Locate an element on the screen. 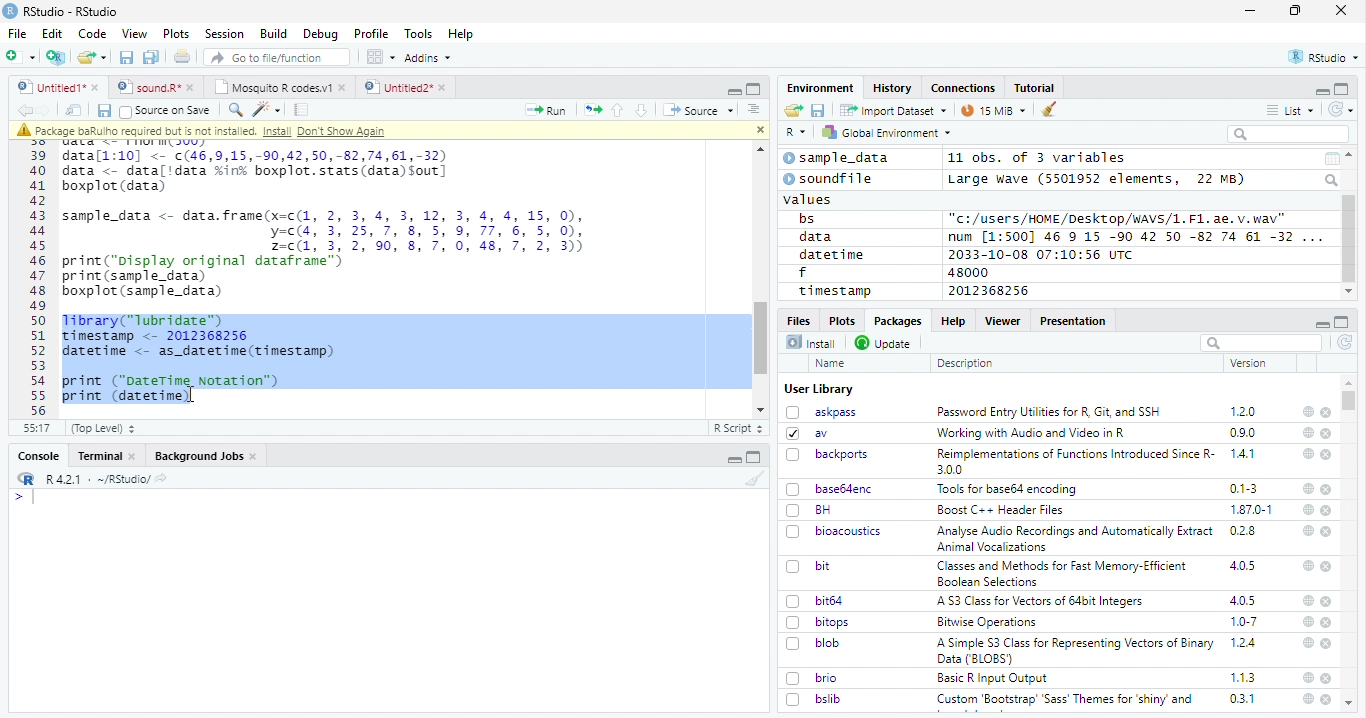 Image resolution: width=1366 pixels, height=718 pixels. package baRulho required but is not installed. Intall Don't show again. is located at coordinates (207, 131).